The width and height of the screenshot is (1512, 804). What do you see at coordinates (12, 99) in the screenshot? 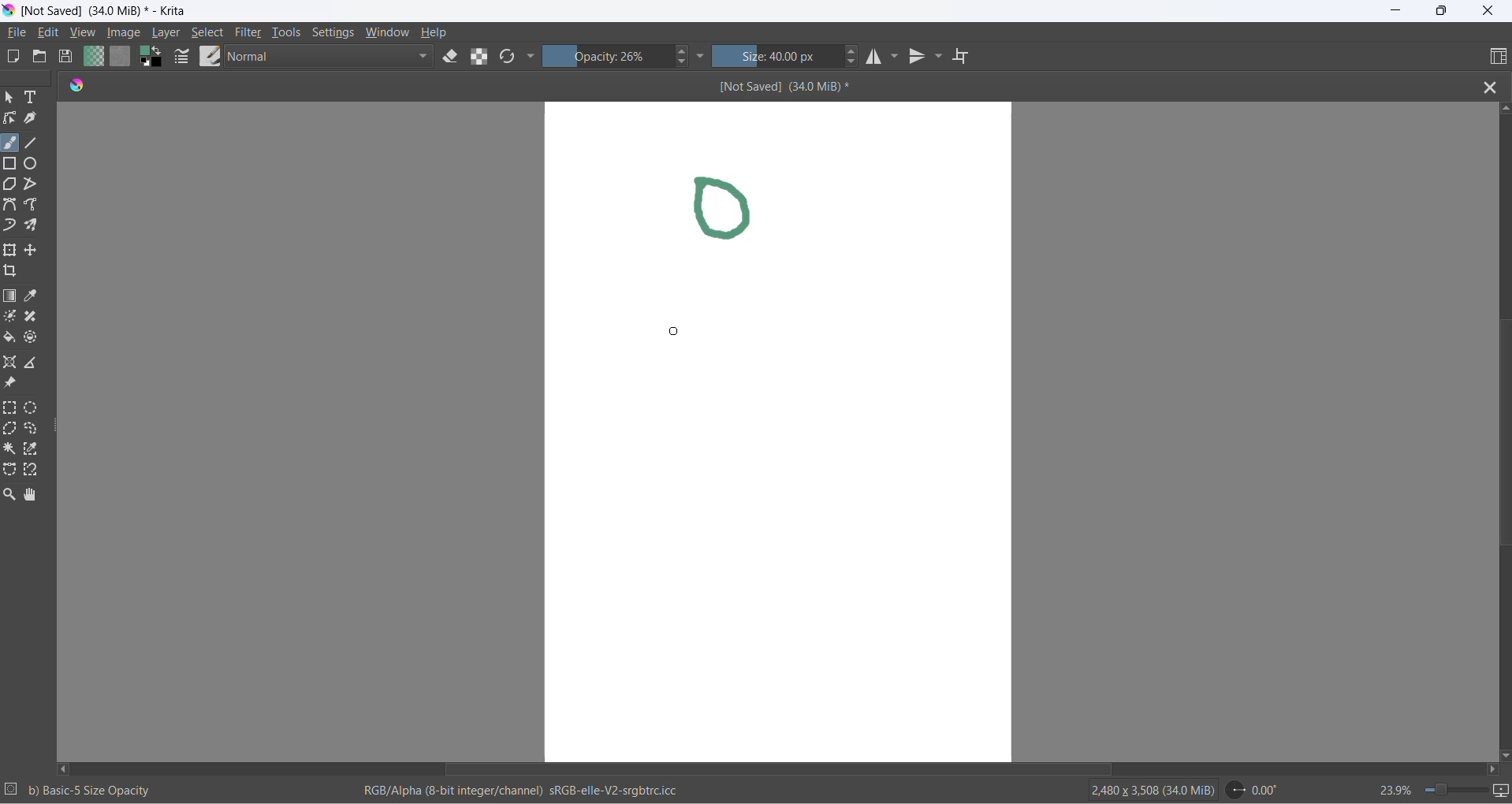
I see `select shape tool` at bounding box center [12, 99].